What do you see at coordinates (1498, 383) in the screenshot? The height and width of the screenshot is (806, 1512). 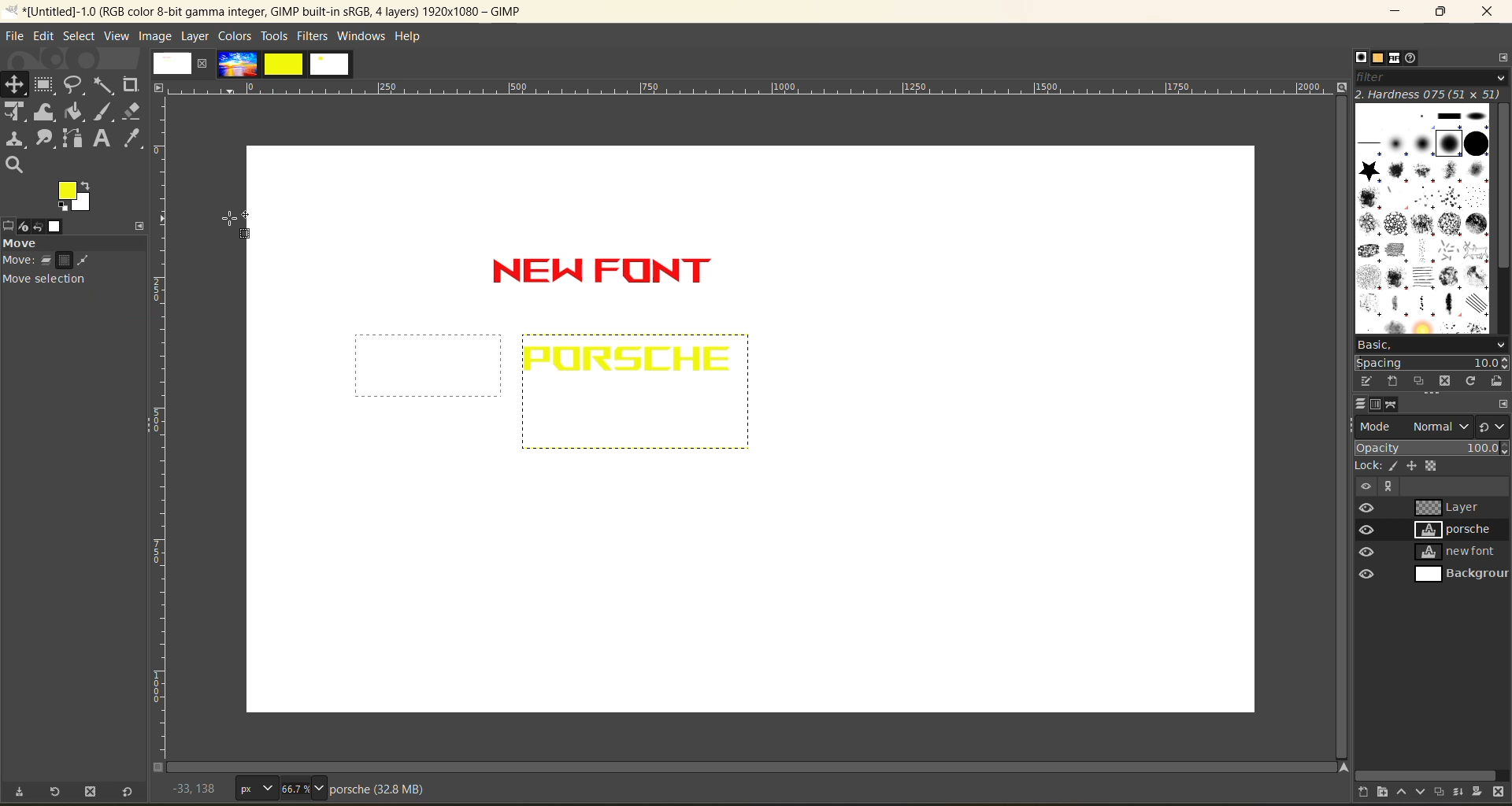 I see `open brush as image` at bounding box center [1498, 383].